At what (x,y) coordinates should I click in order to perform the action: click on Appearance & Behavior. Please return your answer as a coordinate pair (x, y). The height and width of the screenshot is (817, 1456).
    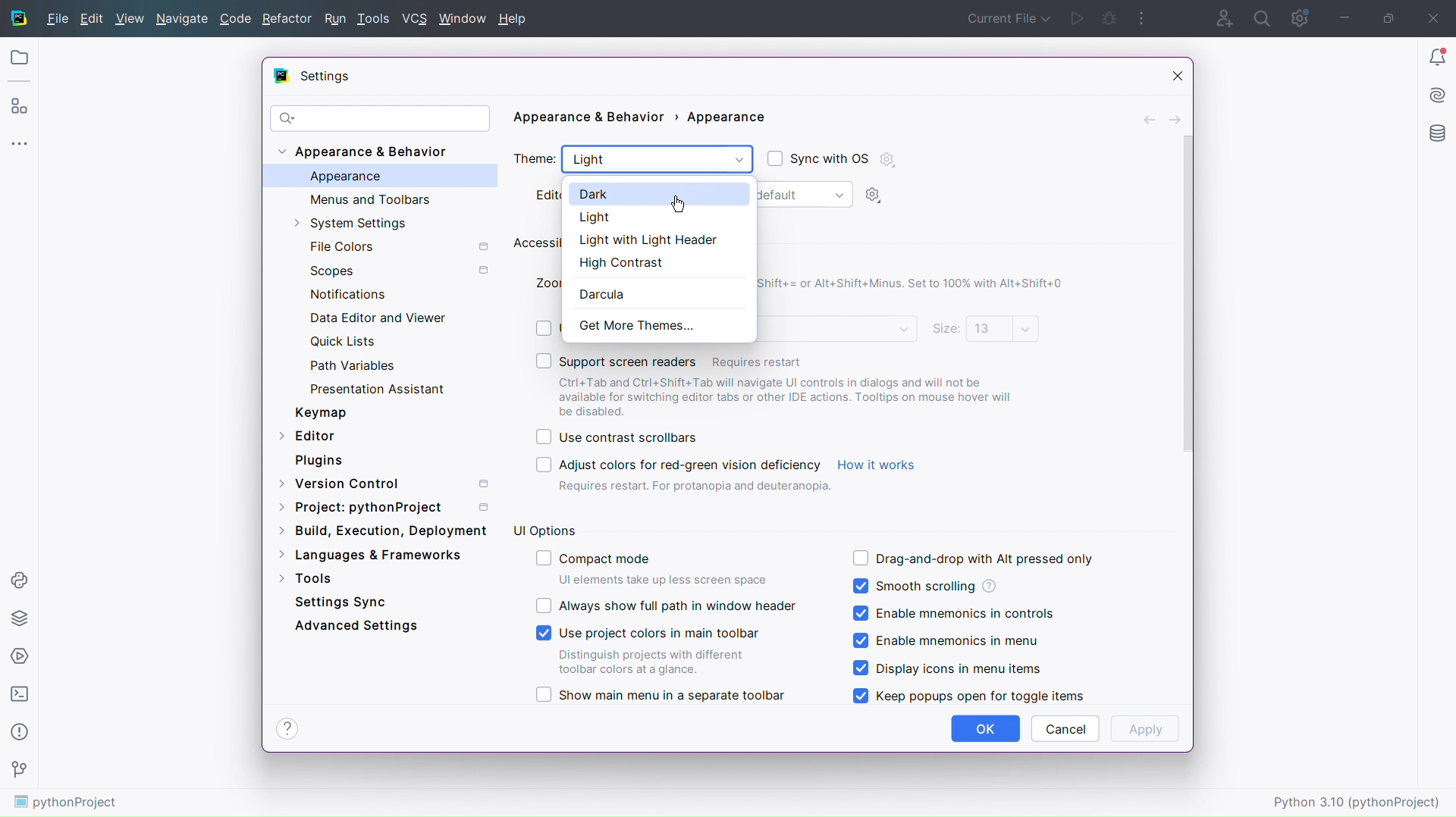
    Looking at the image, I should click on (369, 152).